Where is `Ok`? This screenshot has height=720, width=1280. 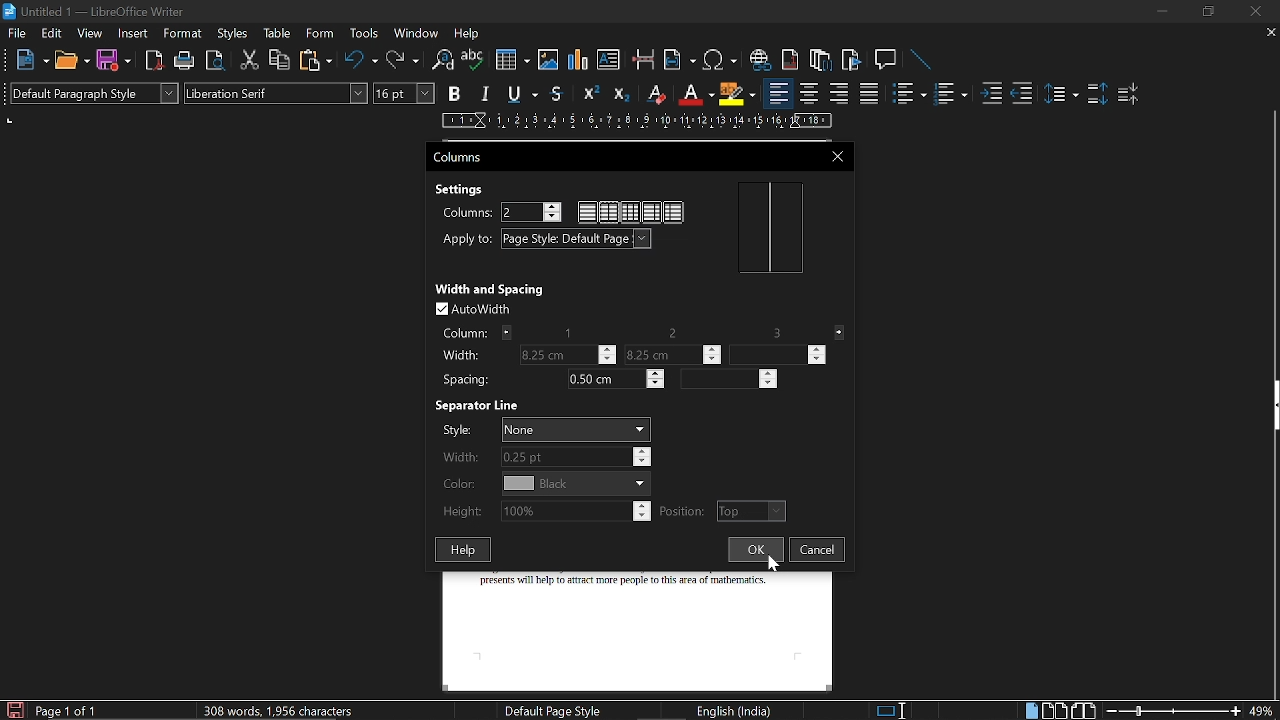 Ok is located at coordinates (757, 550).